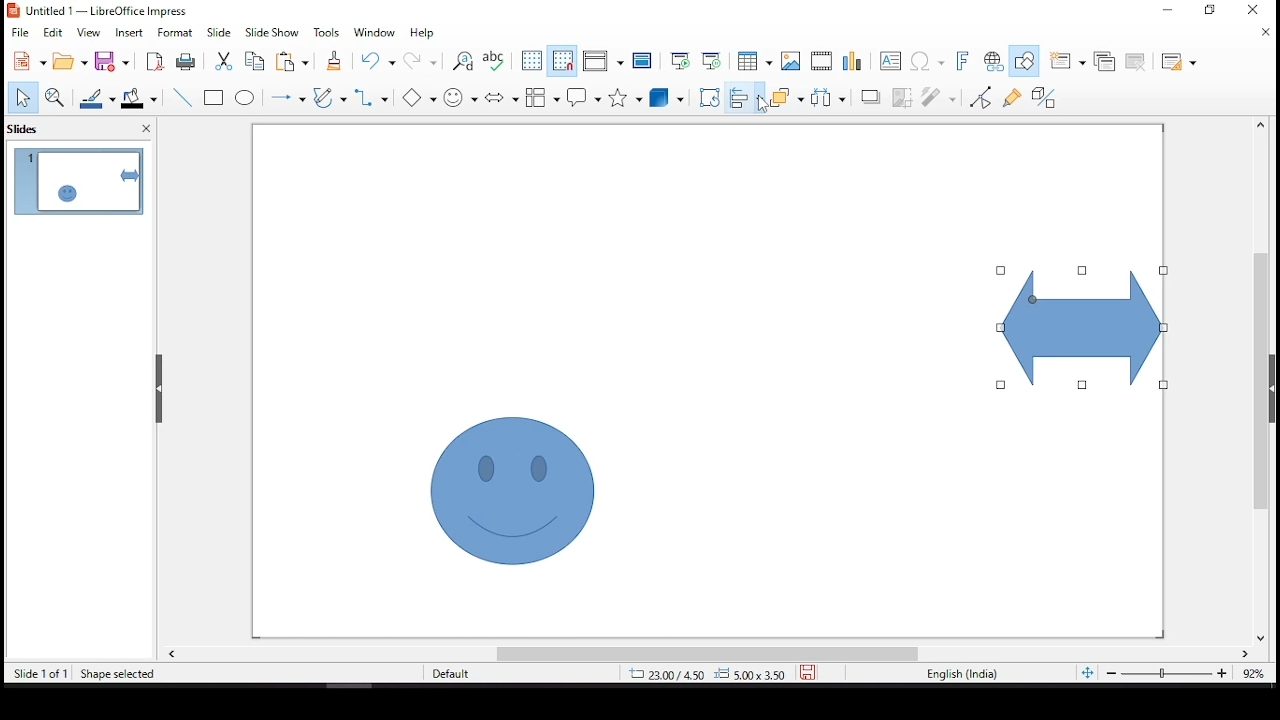  I want to click on distribute, so click(824, 96).